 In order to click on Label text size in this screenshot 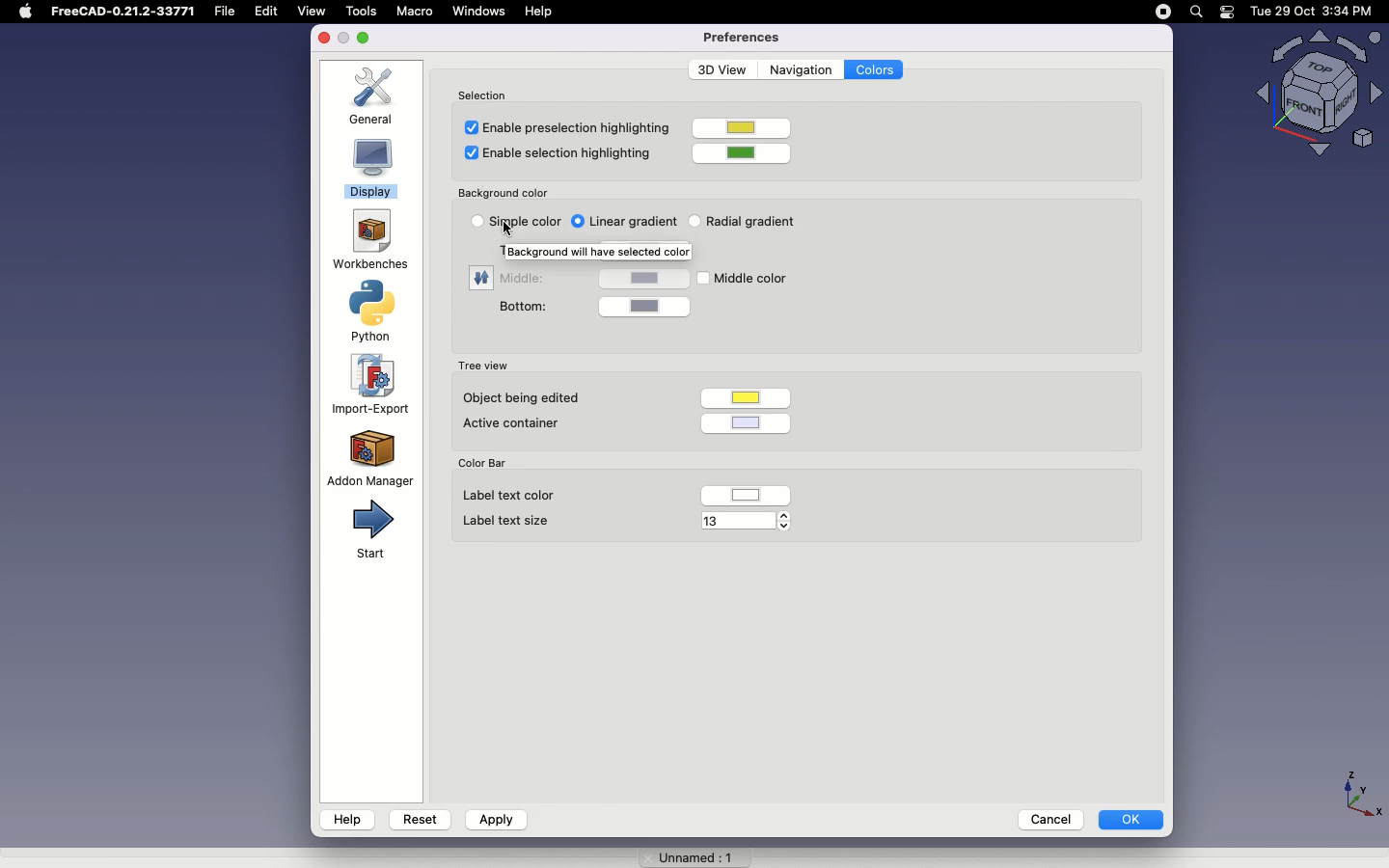, I will do `click(500, 521)`.